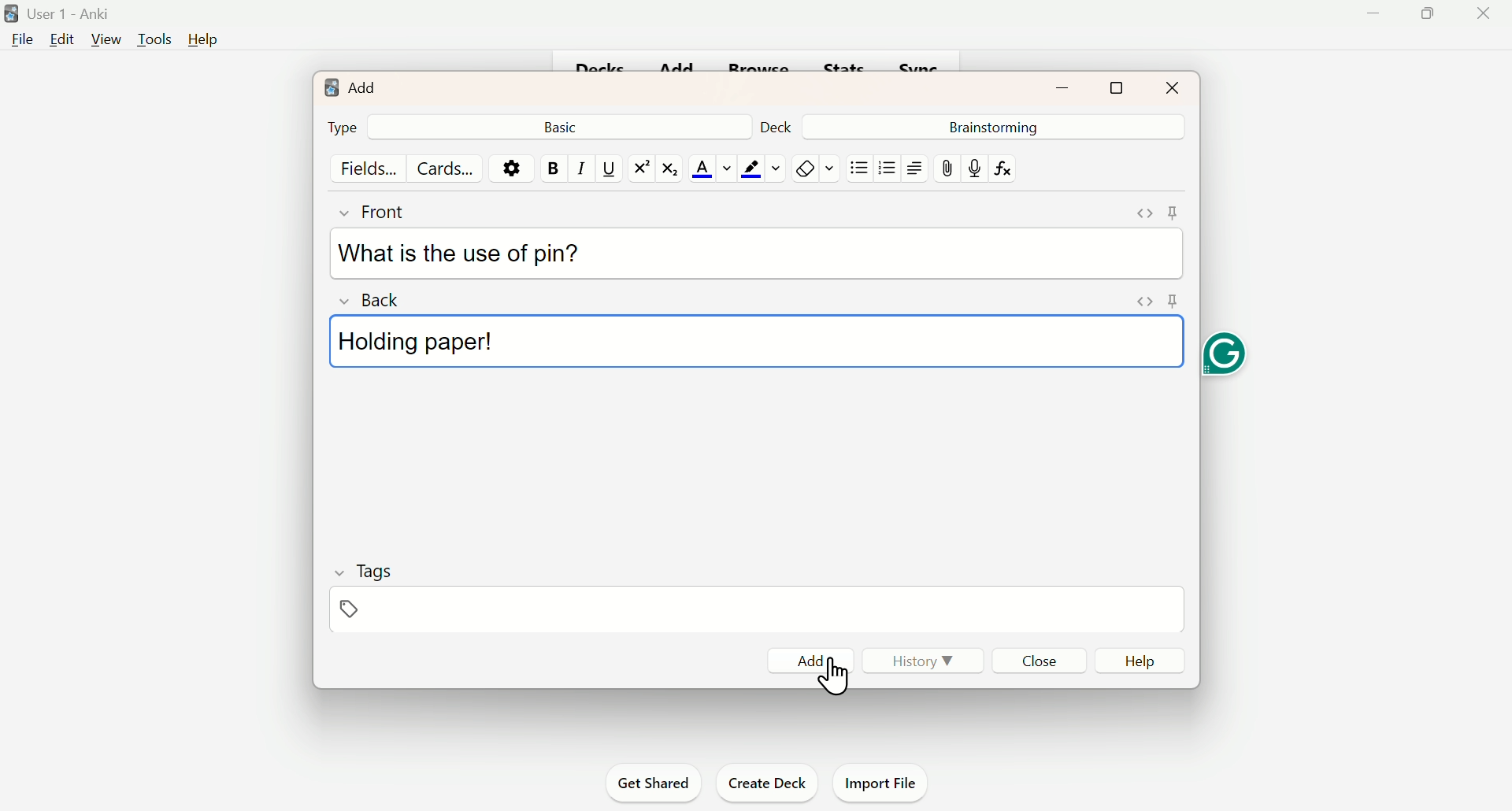  I want to click on Fields..., so click(372, 168).